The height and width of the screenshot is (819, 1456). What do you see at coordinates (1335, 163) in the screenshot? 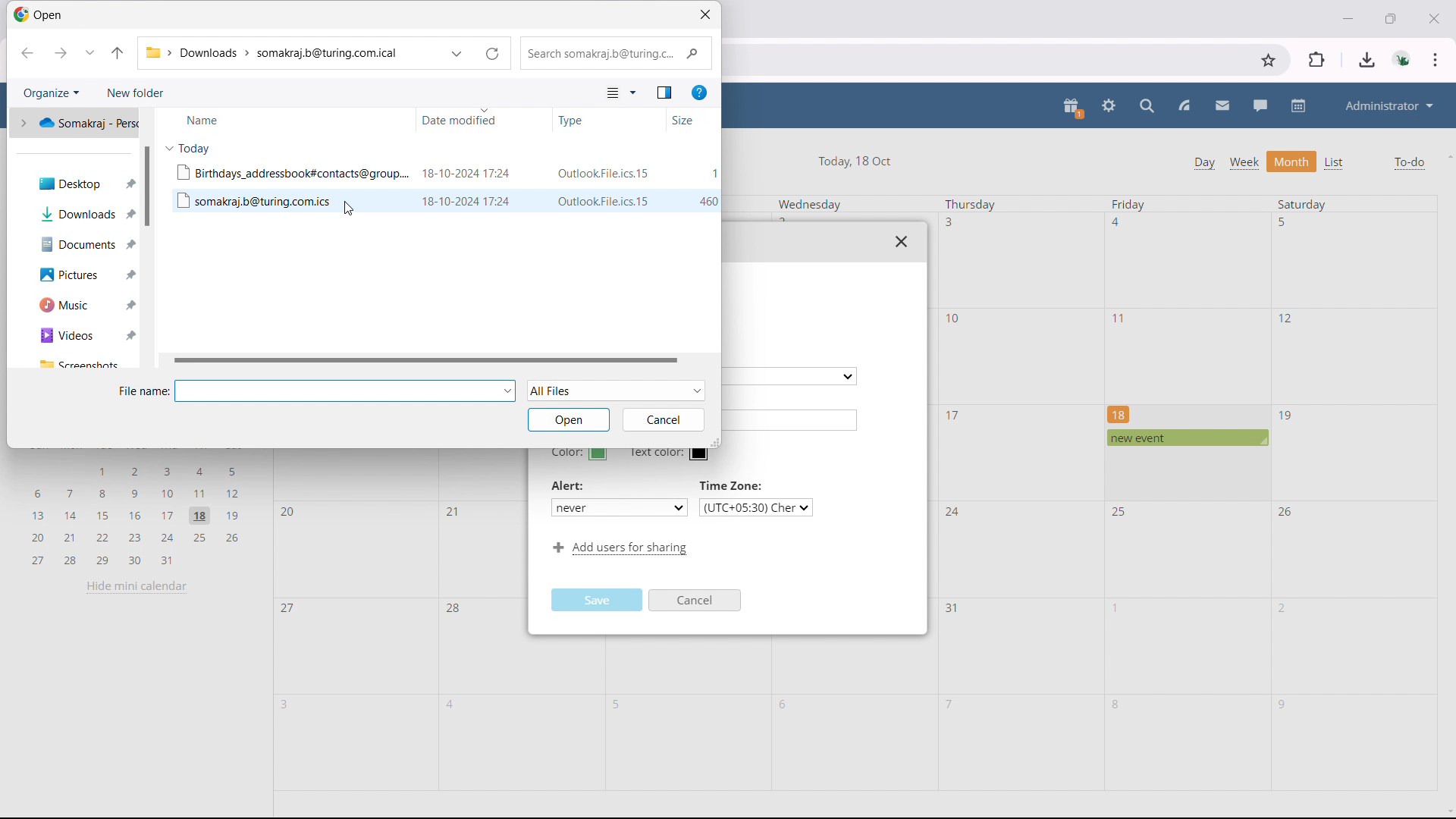
I see `List` at bounding box center [1335, 163].